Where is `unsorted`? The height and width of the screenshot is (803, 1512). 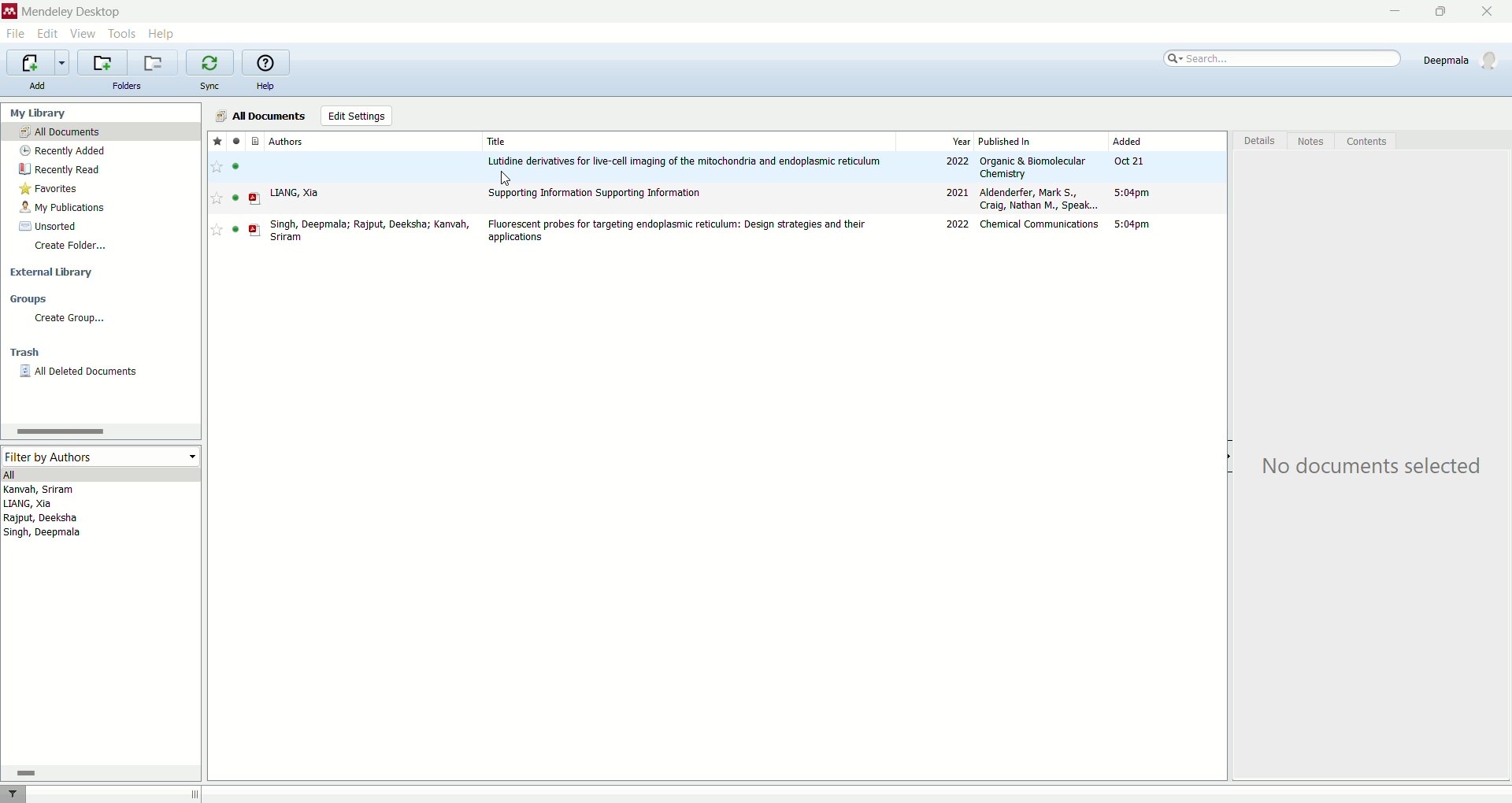
unsorted is located at coordinates (51, 225).